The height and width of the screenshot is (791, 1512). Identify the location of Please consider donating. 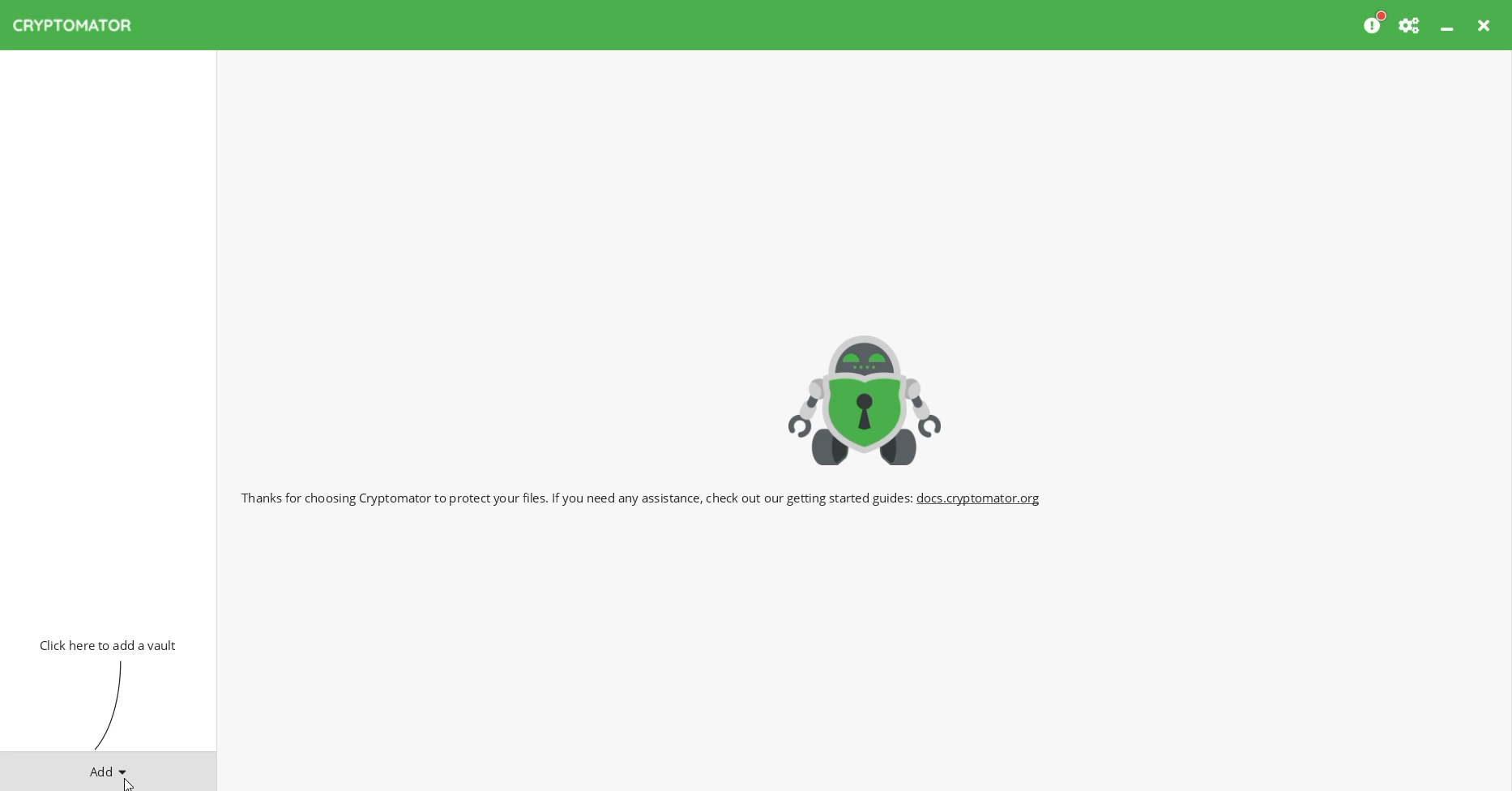
(1375, 24).